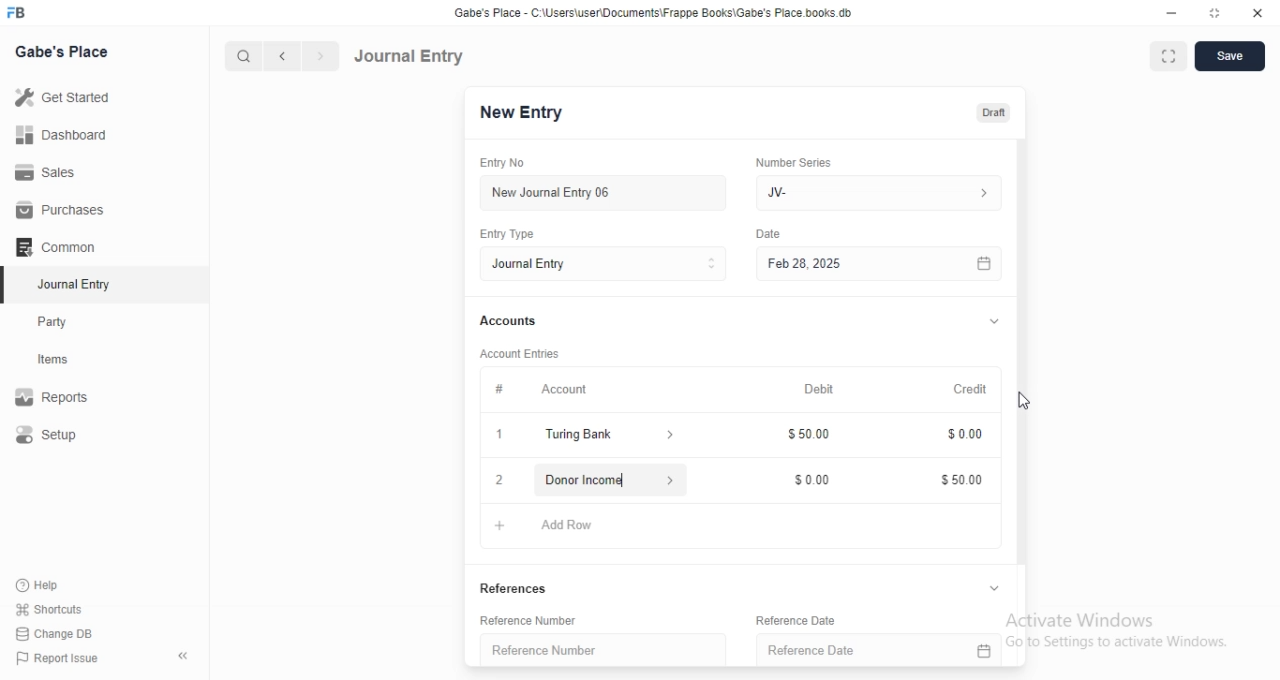 This screenshot has width=1280, height=680. Describe the element at coordinates (858, 651) in the screenshot. I see `Reference Date` at that location.